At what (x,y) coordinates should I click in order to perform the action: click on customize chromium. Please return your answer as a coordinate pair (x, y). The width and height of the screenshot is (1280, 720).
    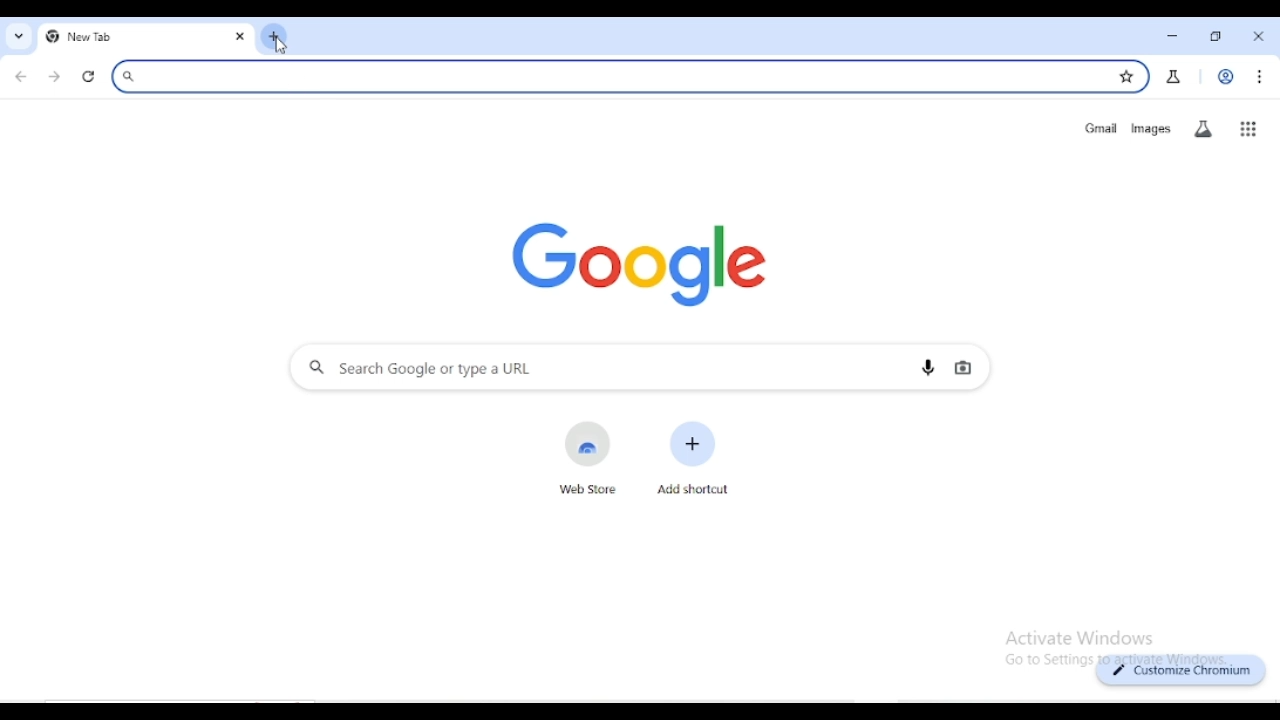
    Looking at the image, I should click on (1182, 671).